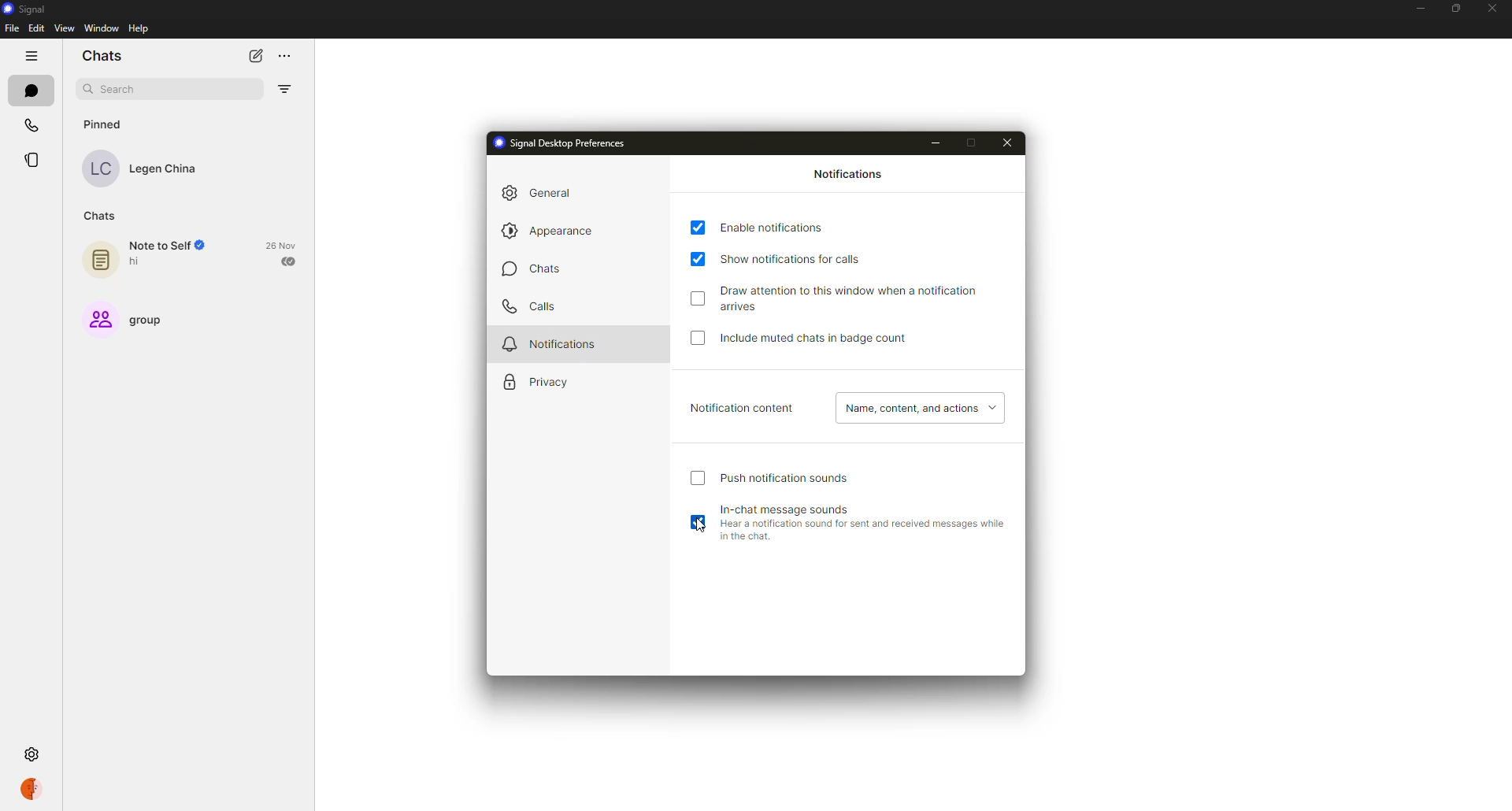  I want to click on contact, so click(150, 168).